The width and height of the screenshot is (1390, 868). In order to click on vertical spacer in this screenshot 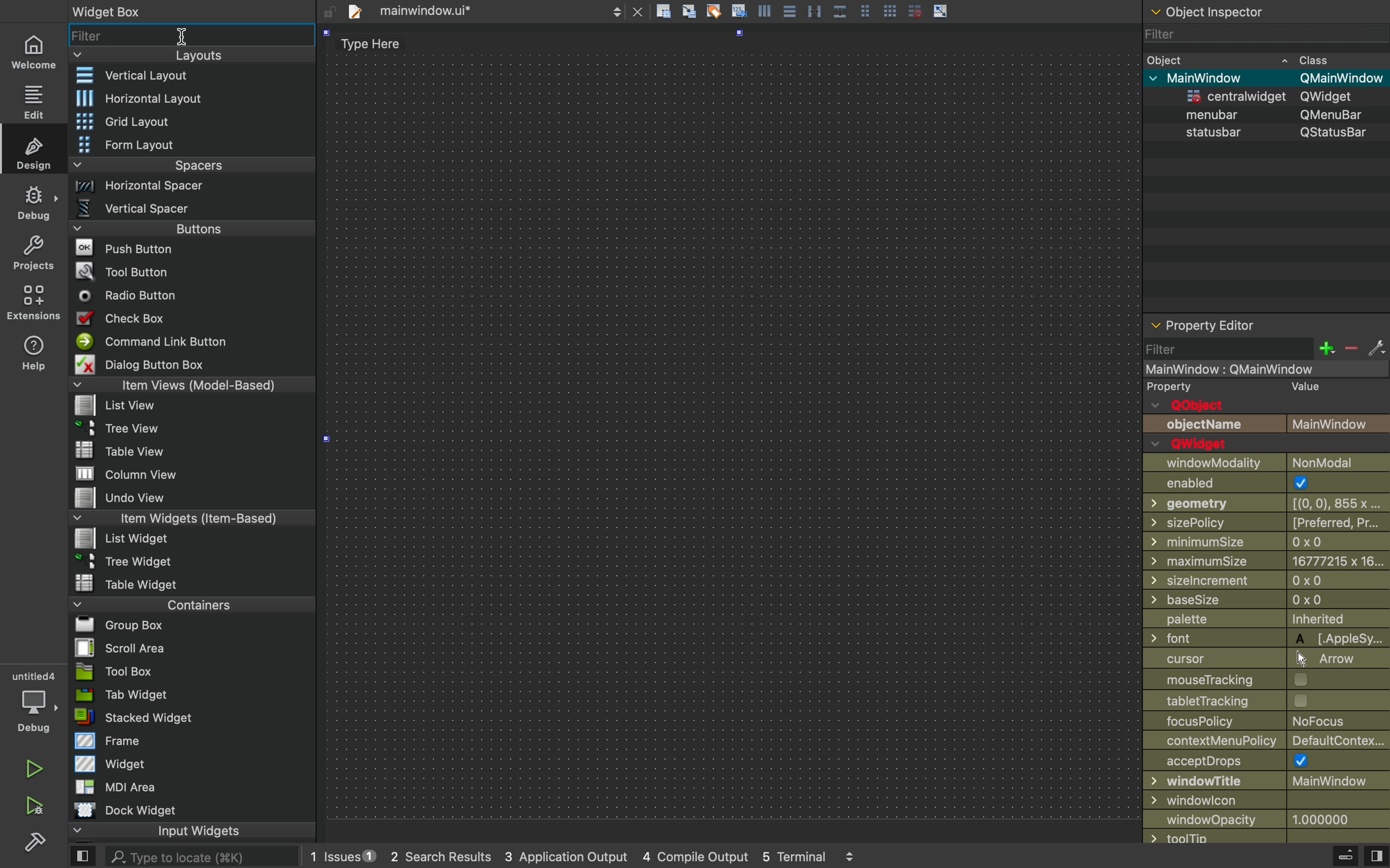, I will do `click(191, 208)`.